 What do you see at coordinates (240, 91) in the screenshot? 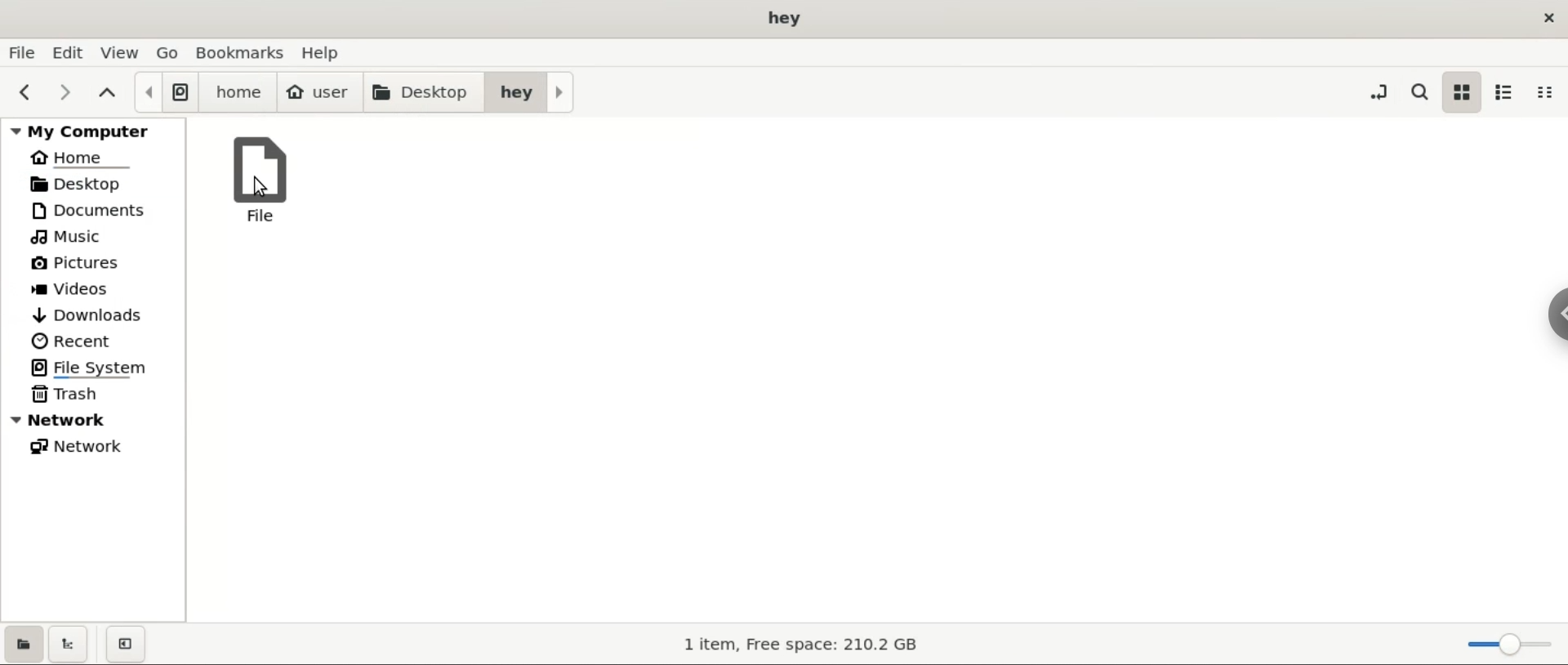
I see `home` at bounding box center [240, 91].